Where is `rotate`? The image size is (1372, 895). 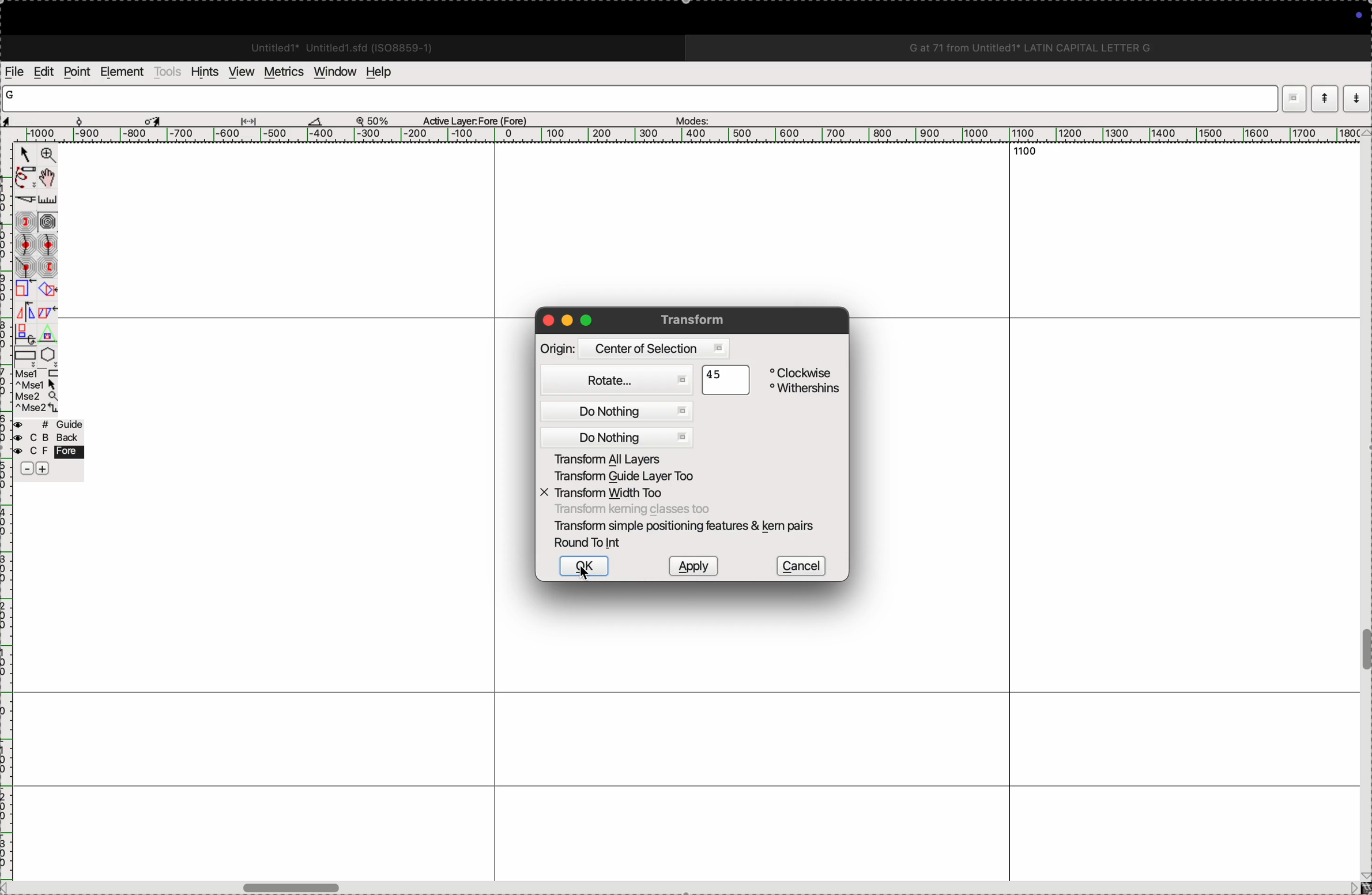
rotate is located at coordinates (47, 291).